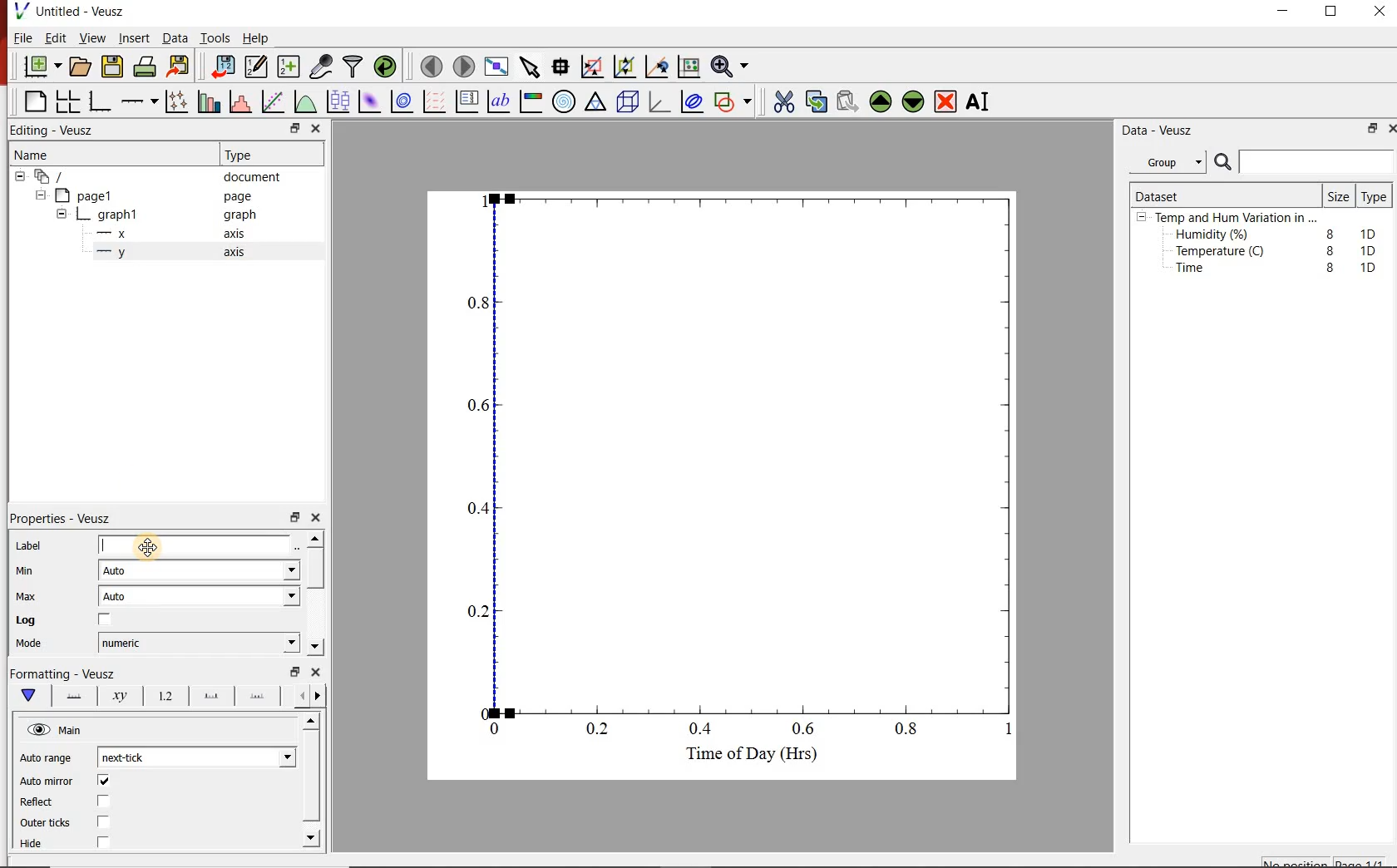  Describe the element at coordinates (37, 570) in the screenshot. I see `Min` at that location.